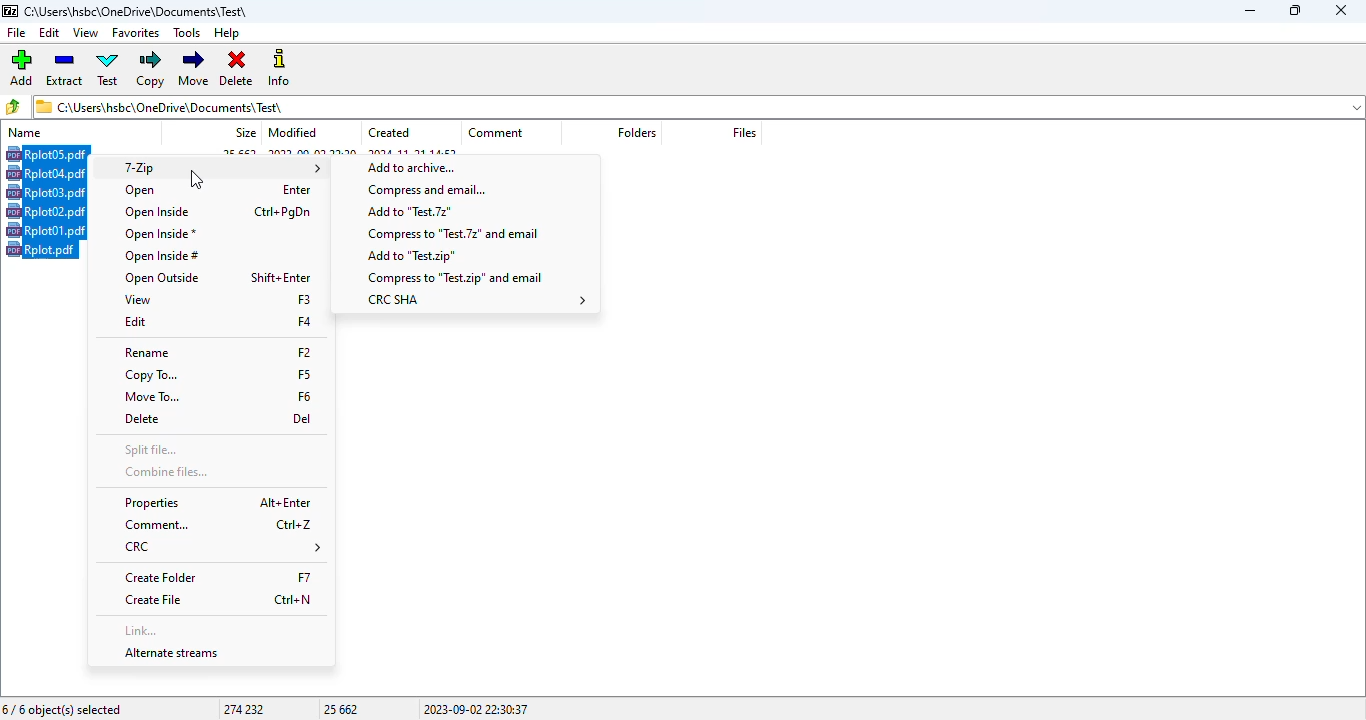 The width and height of the screenshot is (1366, 720). I want to click on delete, so click(238, 69).